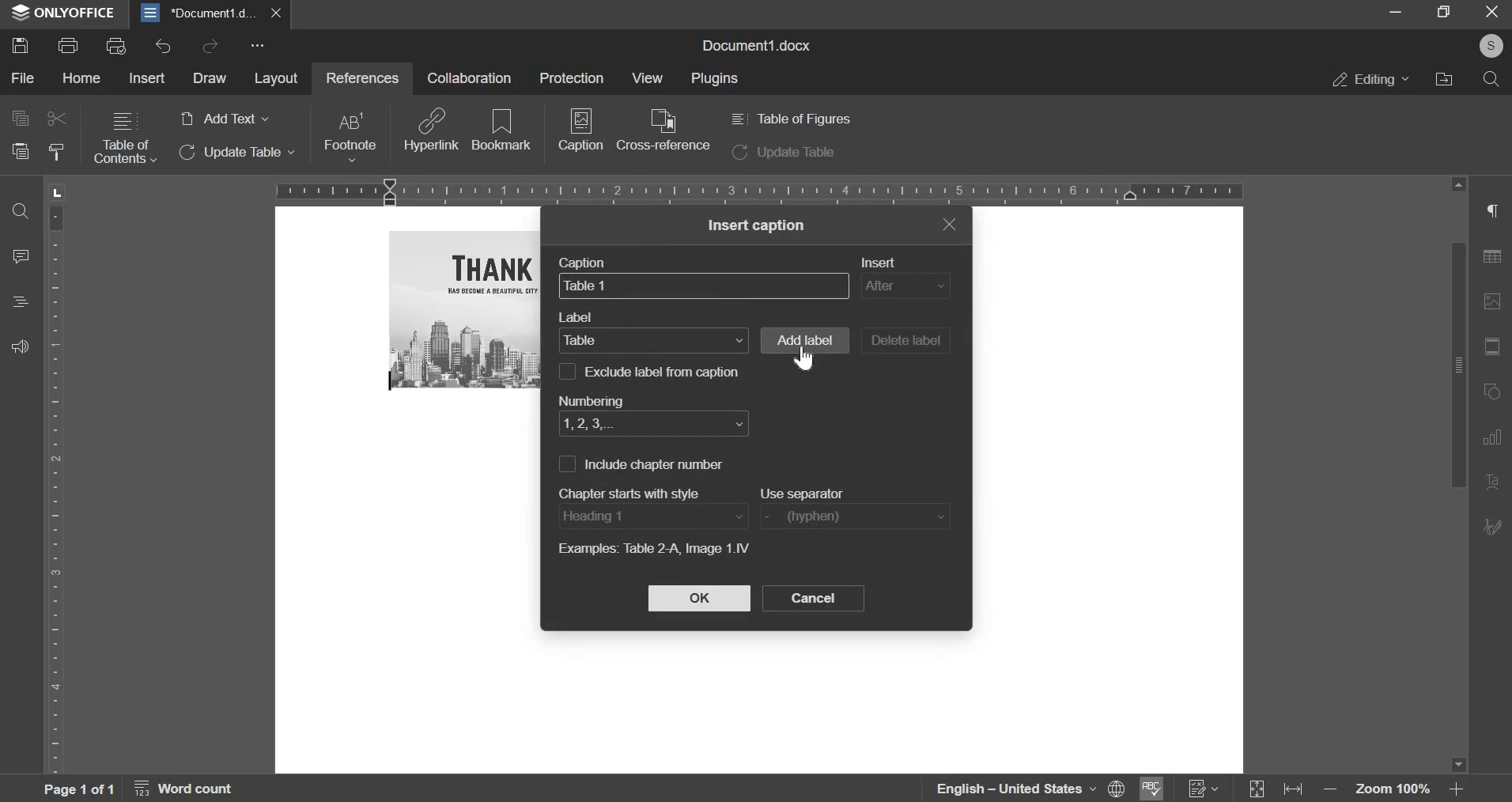 The height and width of the screenshot is (802, 1512). I want to click on exclude label from caption, so click(567, 370).